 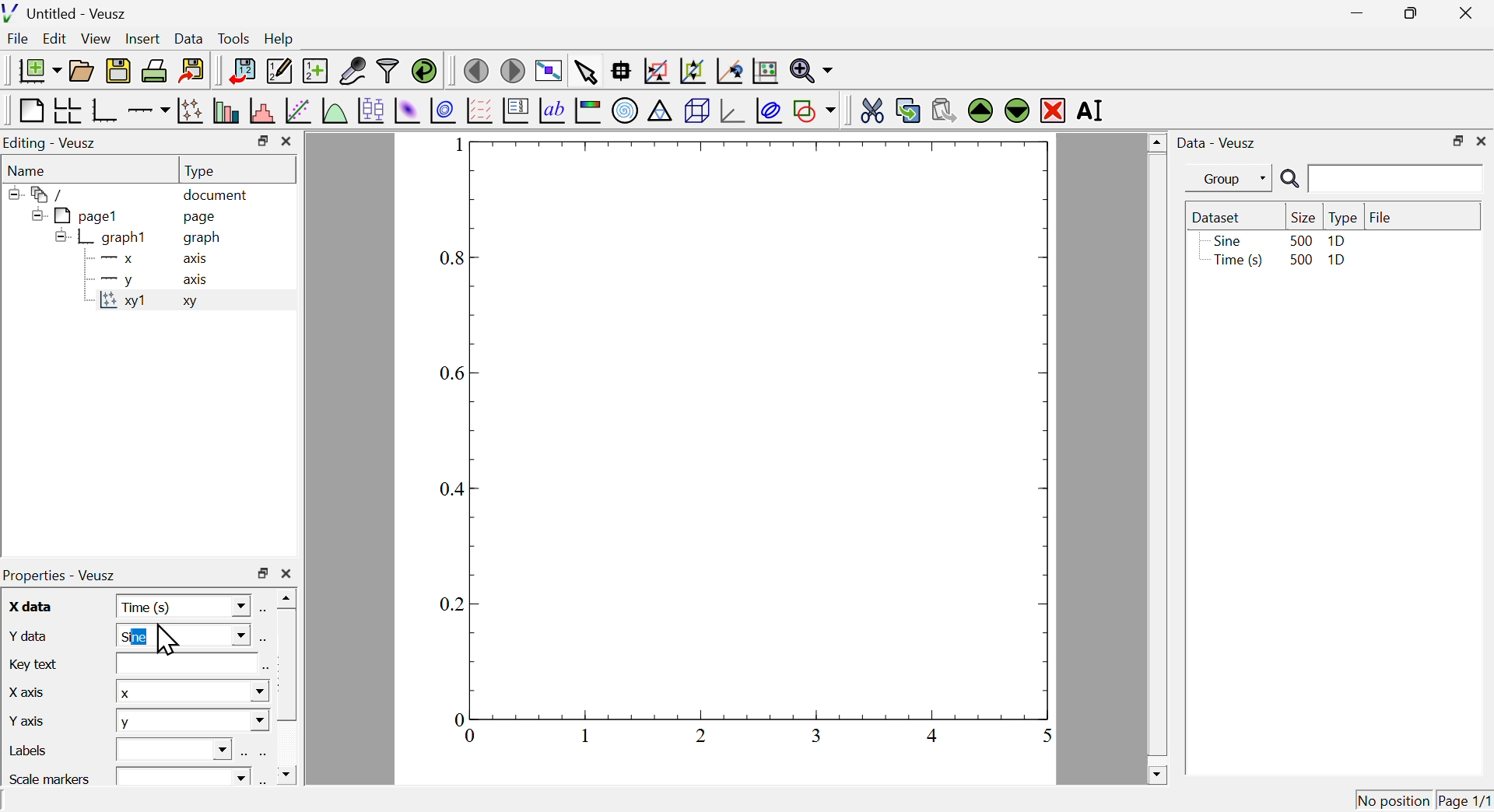 I want to click on time(s), so click(x=1235, y=261).